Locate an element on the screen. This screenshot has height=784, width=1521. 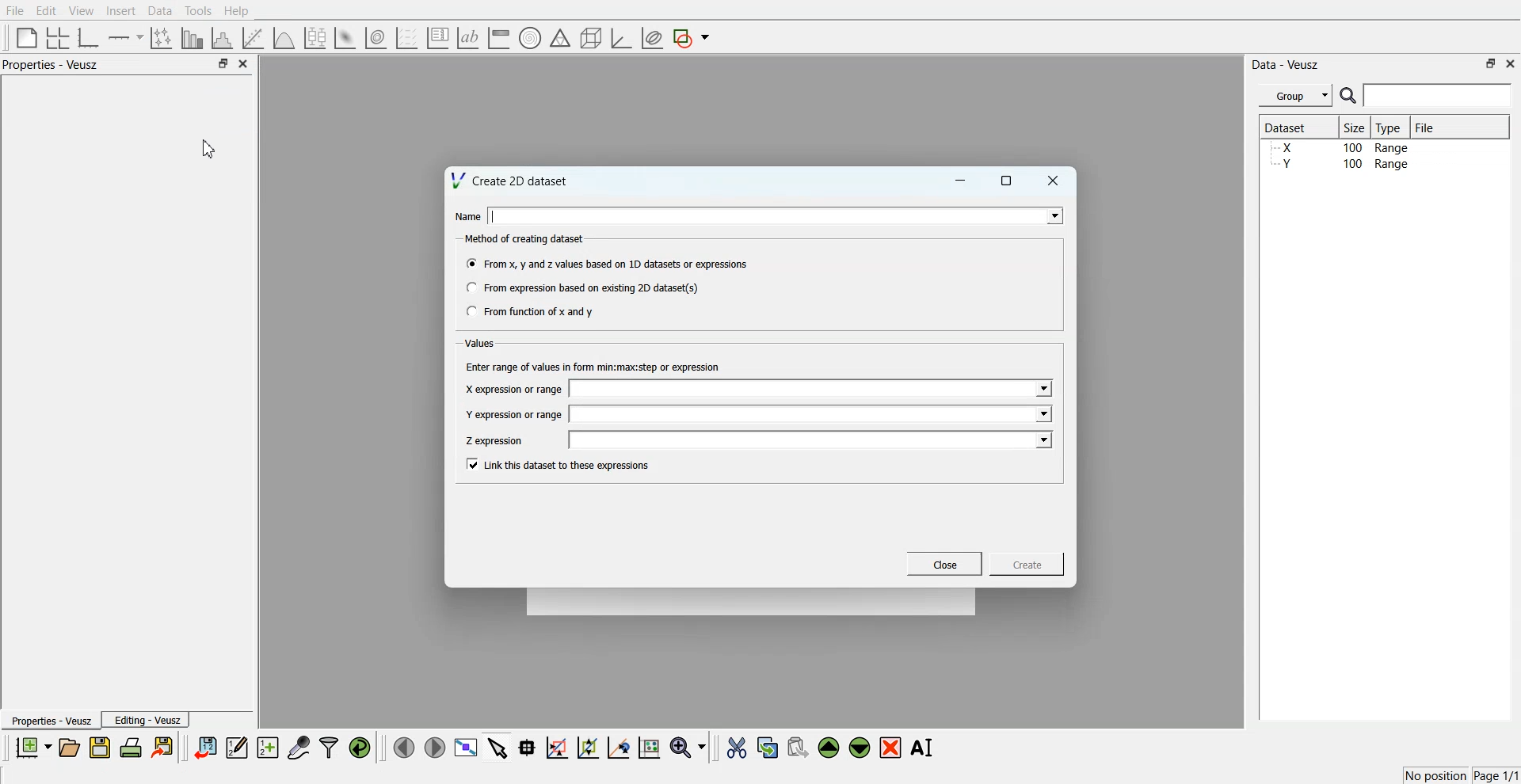
Click to reset graph axes is located at coordinates (649, 746).